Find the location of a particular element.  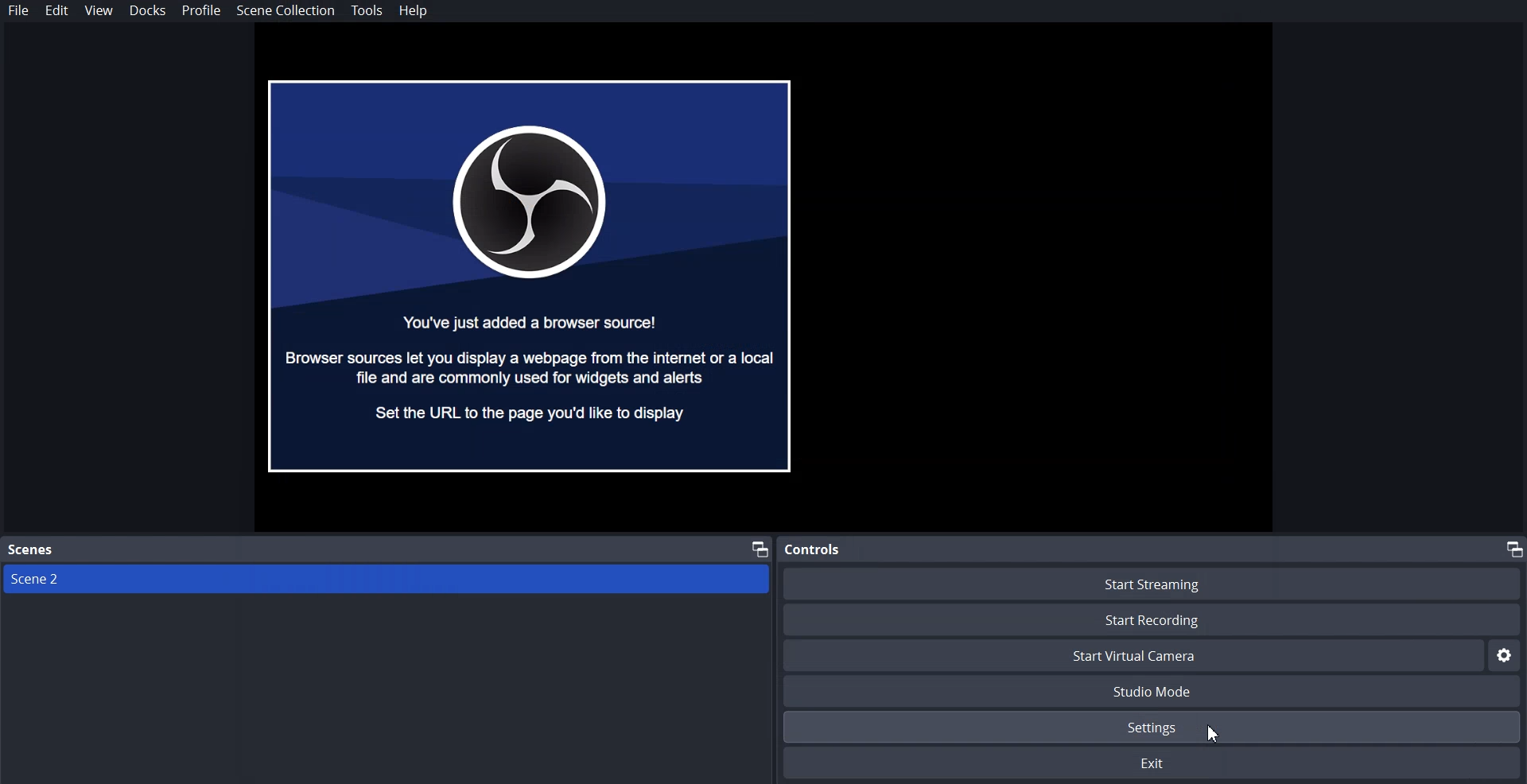

Profile is located at coordinates (201, 11).